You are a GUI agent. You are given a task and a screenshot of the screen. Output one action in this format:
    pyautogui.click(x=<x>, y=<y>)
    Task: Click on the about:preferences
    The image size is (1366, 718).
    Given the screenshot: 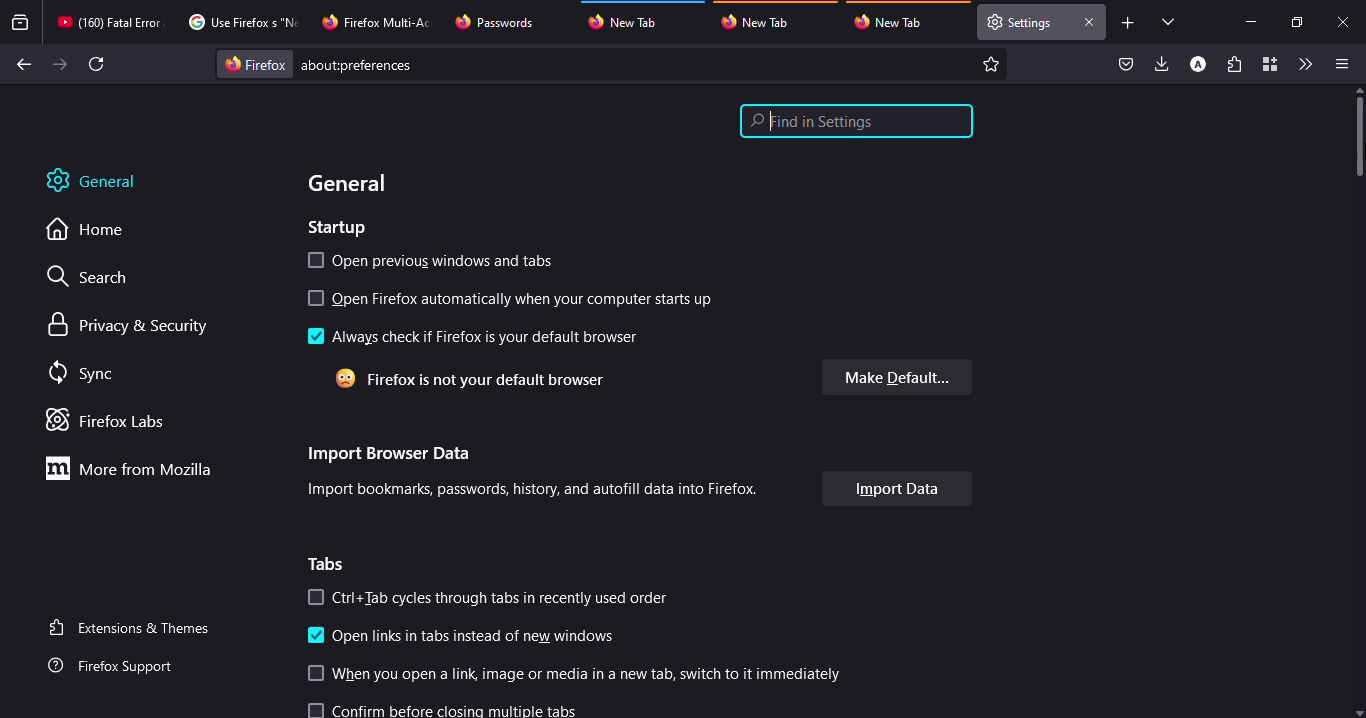 What is the action you would take?
    pyautogui.click(x=614, y=64)
    